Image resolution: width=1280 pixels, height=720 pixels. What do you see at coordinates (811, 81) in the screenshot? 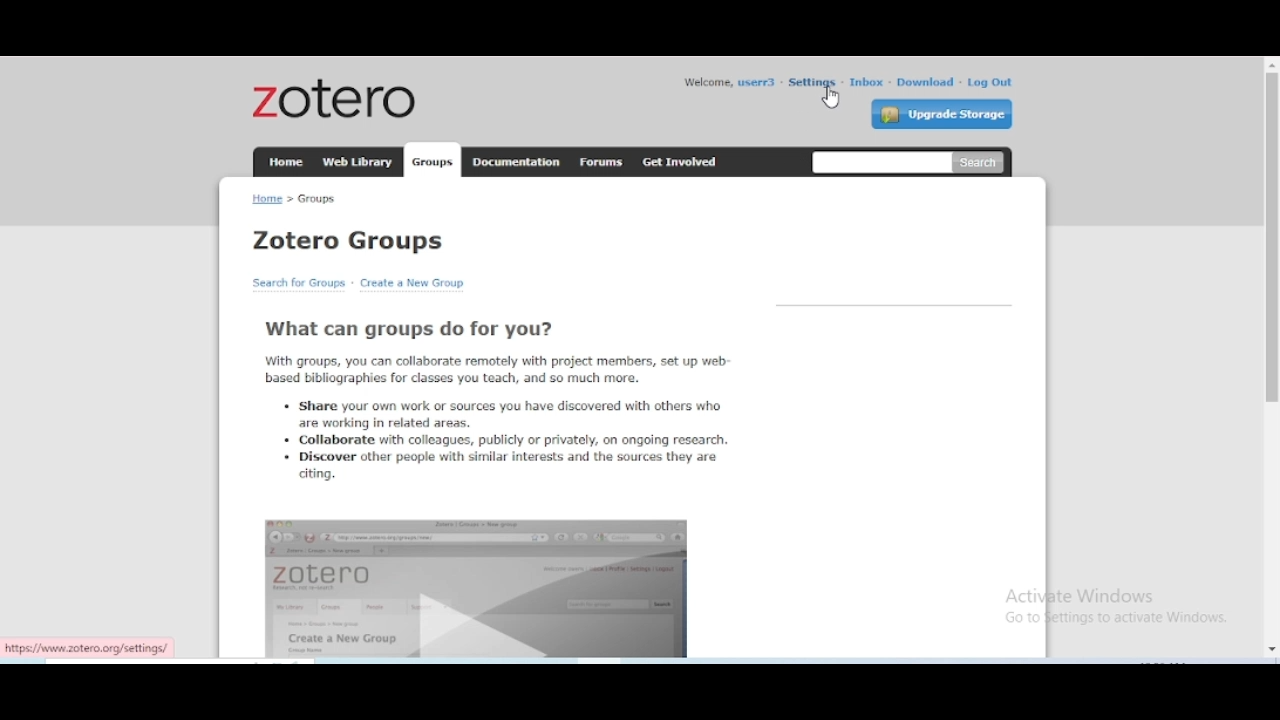
I see `settings` at bounding box center [811, 81].